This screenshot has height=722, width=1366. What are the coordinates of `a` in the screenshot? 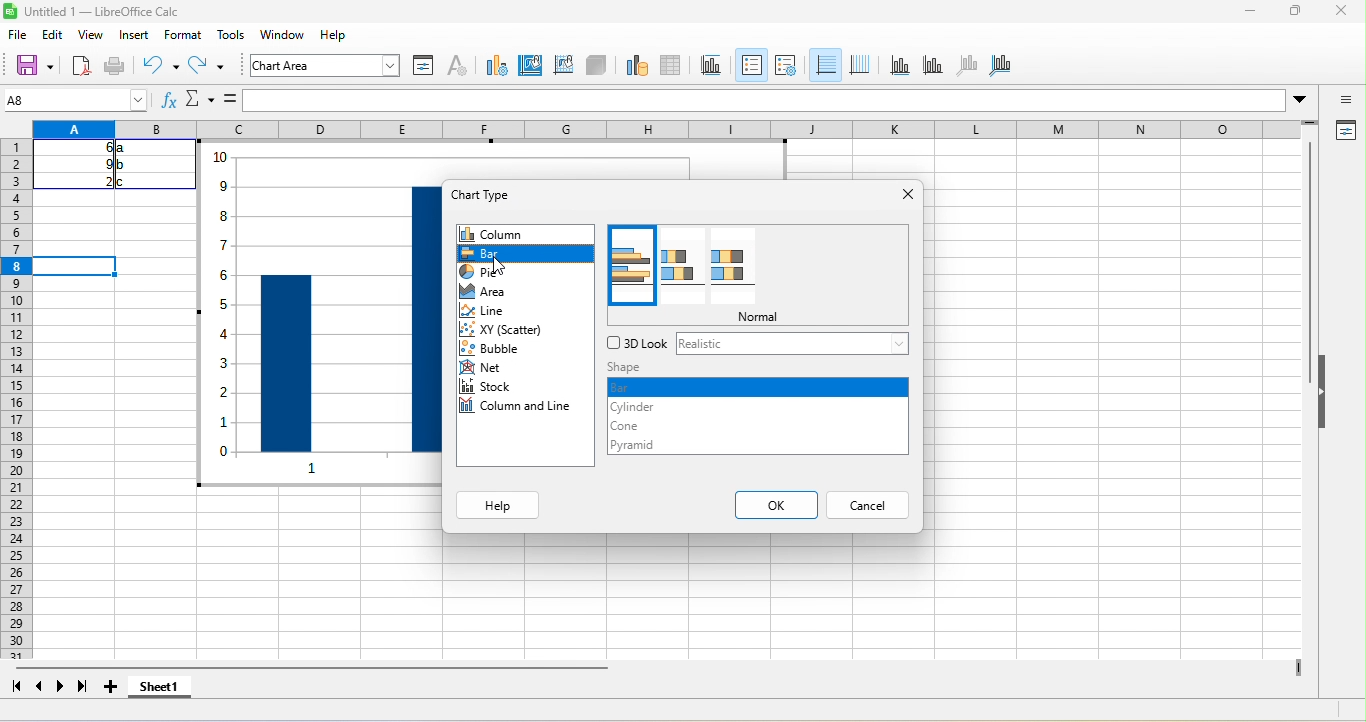 It's located at (123, 150).